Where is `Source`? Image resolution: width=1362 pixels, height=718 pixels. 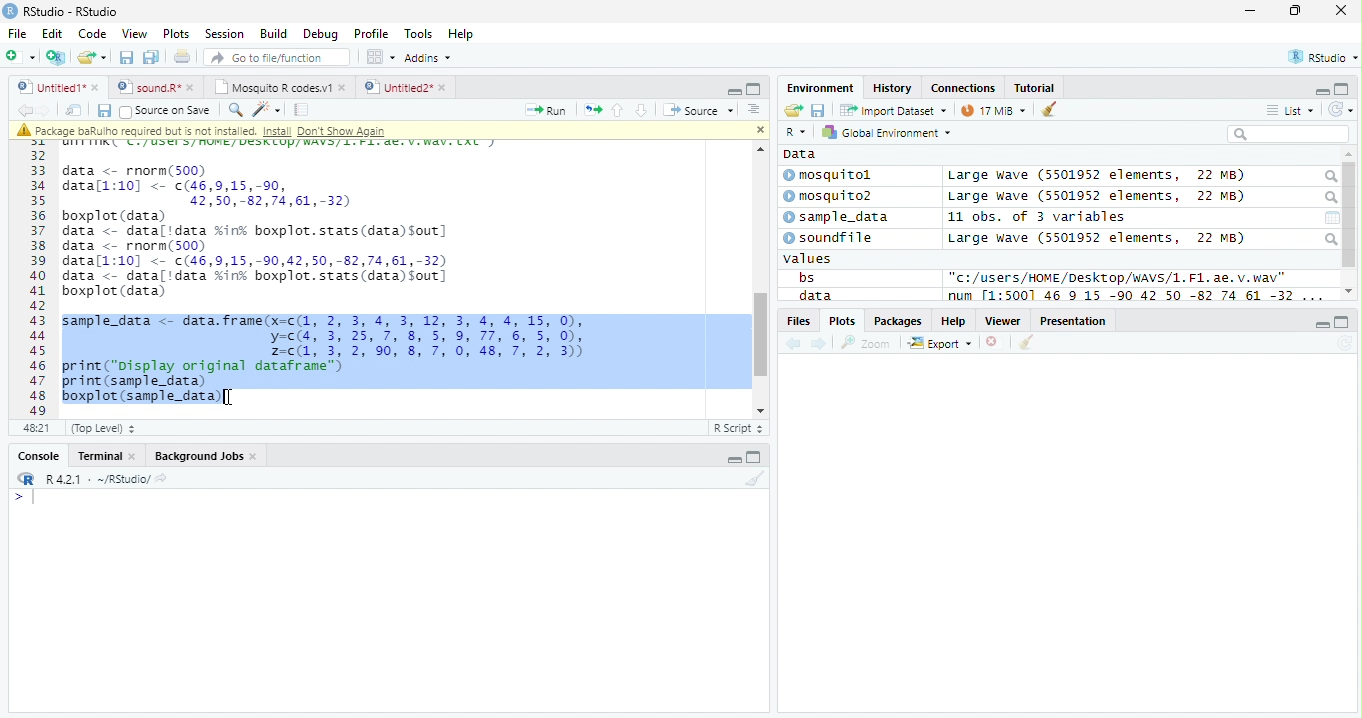 Source is located at coordinates (700, 109).